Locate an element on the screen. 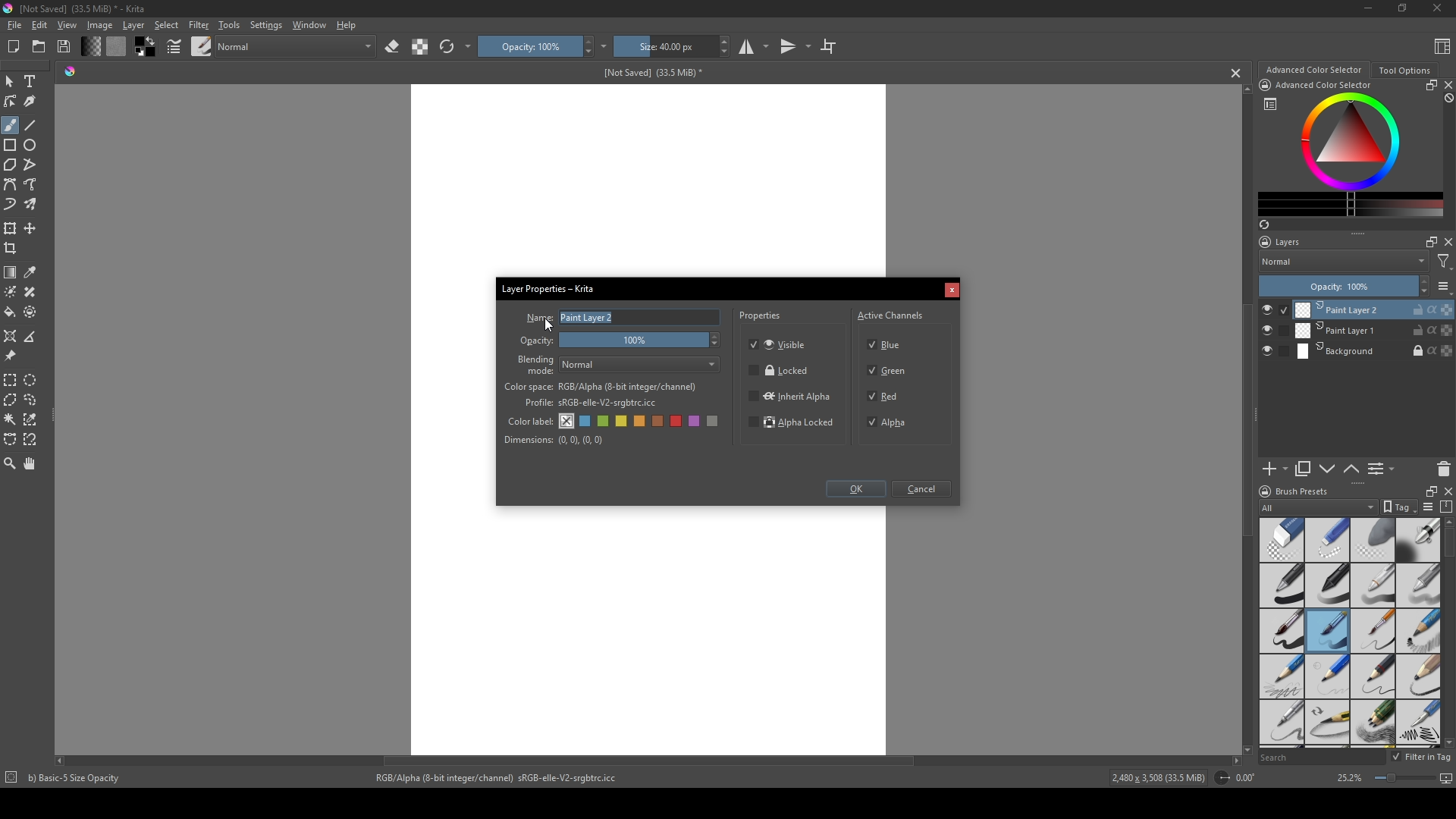 The height and width of the screenshot is (819, 1456). Print Layer 1 is located at coordinates (1374, 331).